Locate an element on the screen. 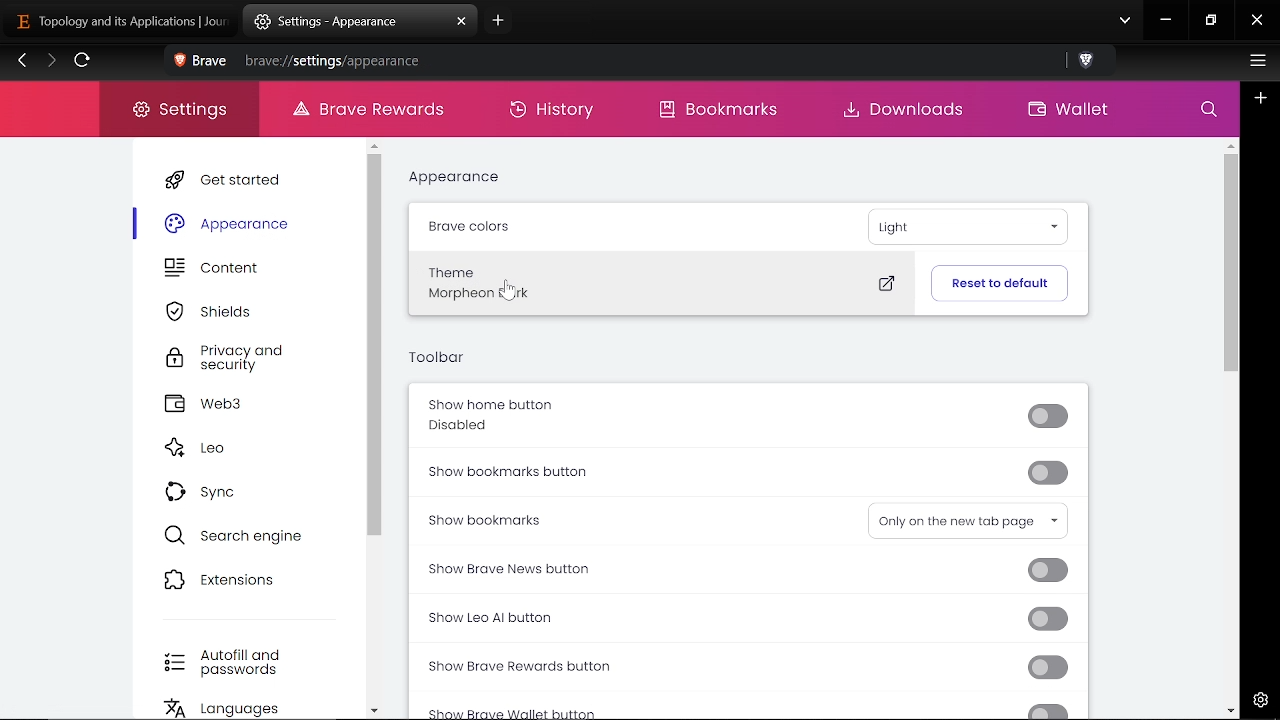  Vertical scrollbar in toolbar is located at coordinates (1232, 265).